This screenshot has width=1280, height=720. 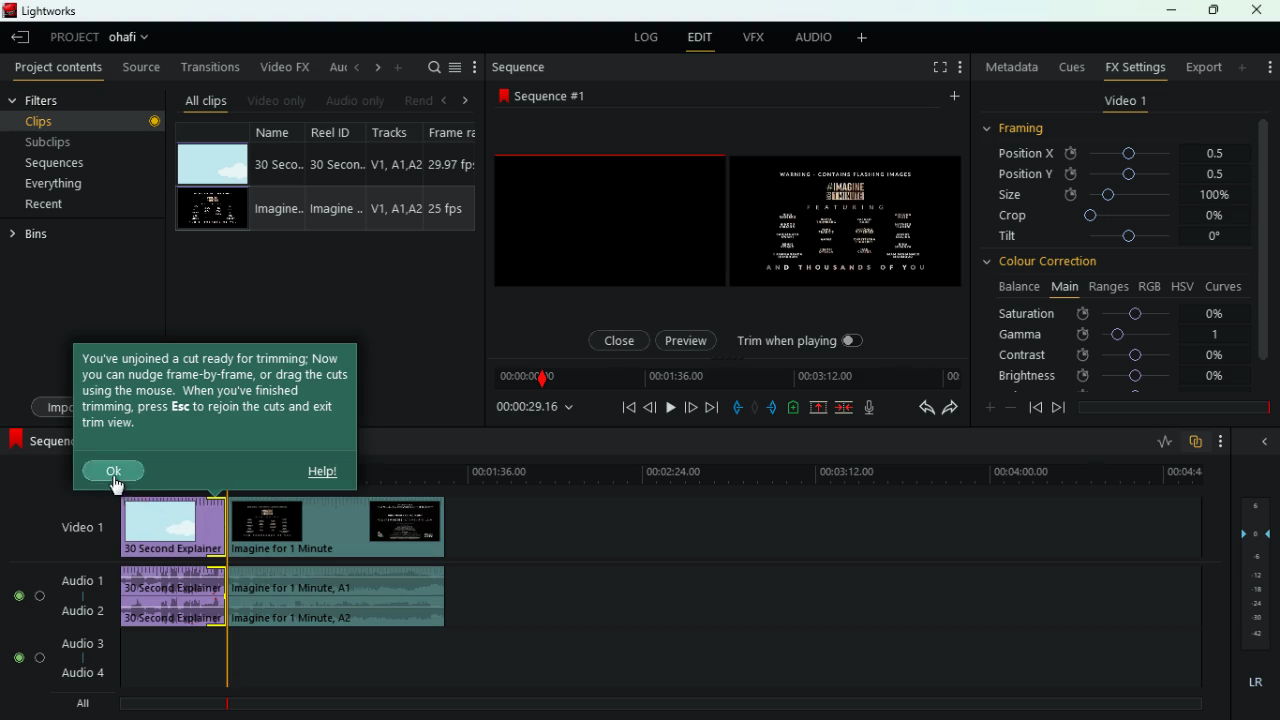 What do you see at coordinates (336, 527) in the screenshot?
I see `video` at bounding box center [336, 527].